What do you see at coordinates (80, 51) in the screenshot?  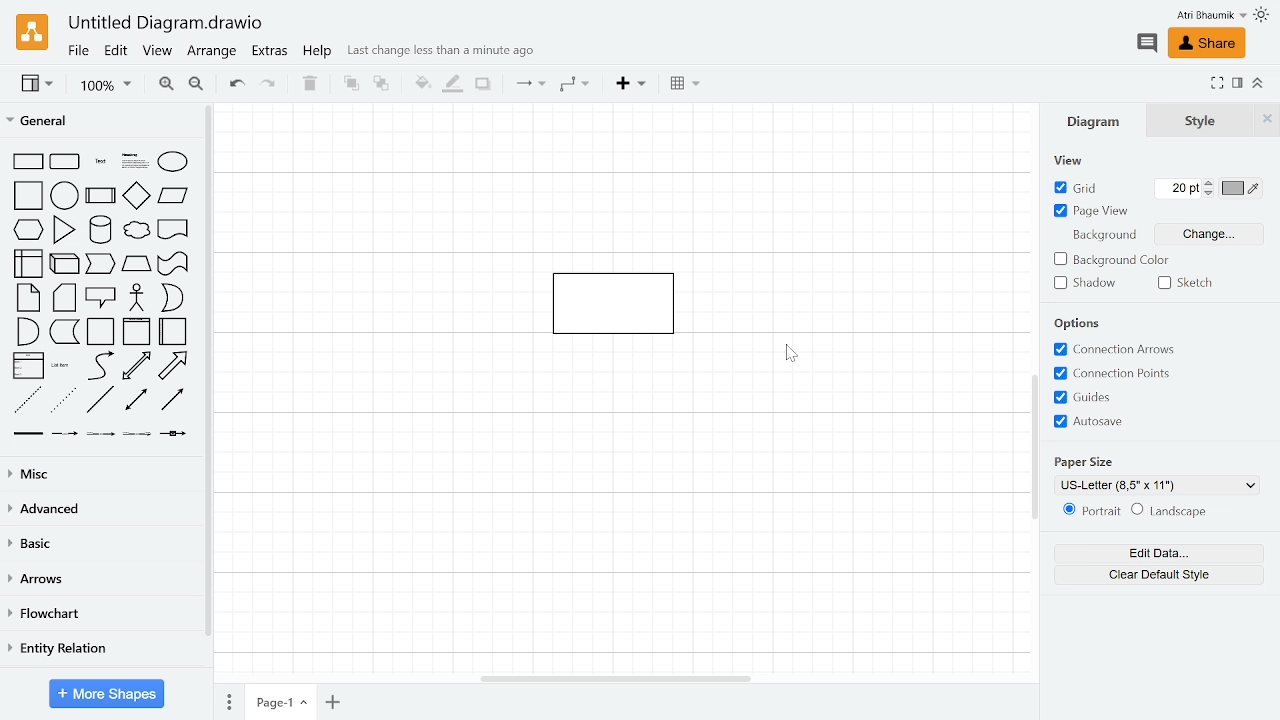 I see `File` at bounding box center [80, 51].